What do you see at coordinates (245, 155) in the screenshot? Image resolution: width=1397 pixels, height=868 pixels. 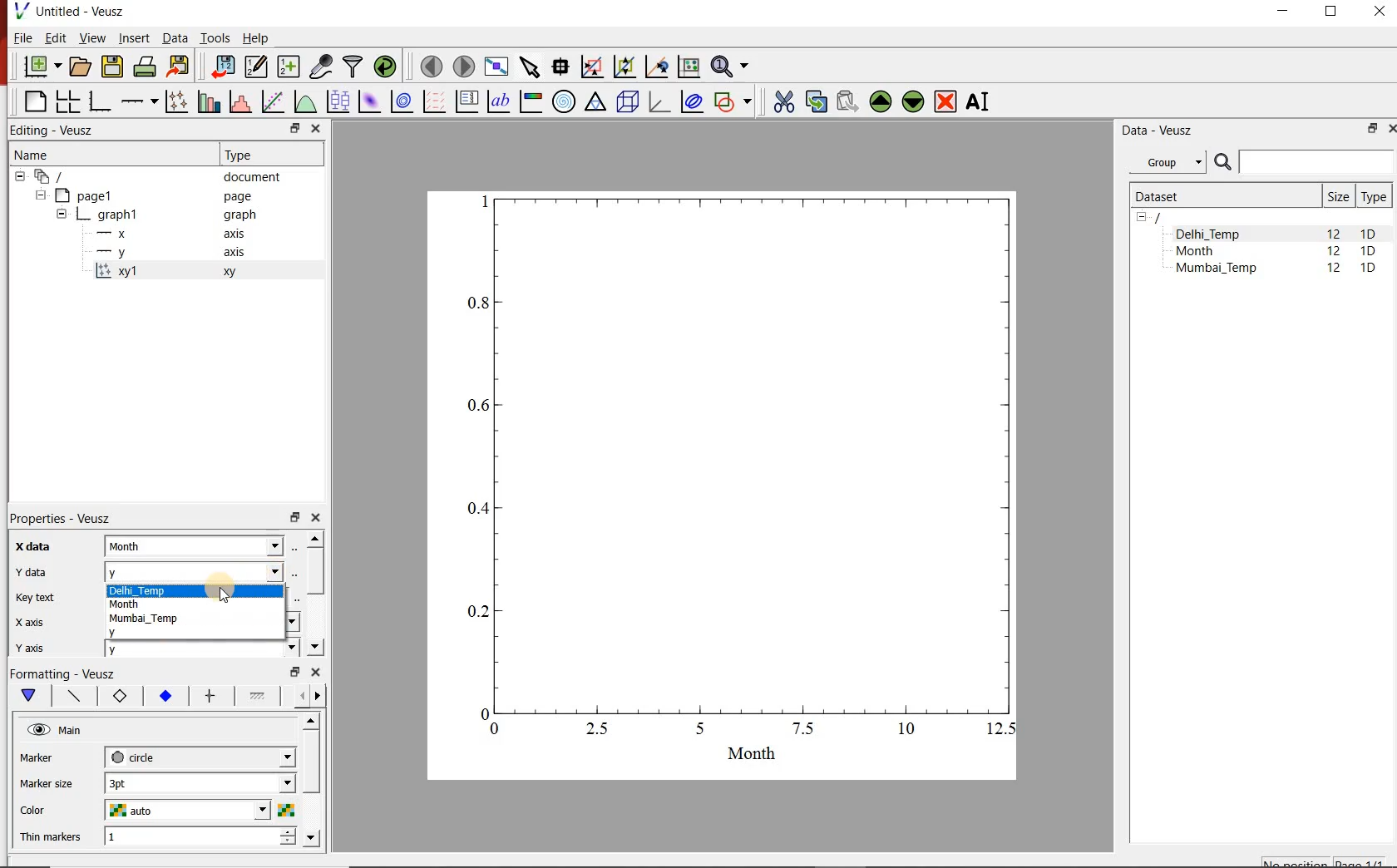 I see `Type` at bounding box center [245, 155].